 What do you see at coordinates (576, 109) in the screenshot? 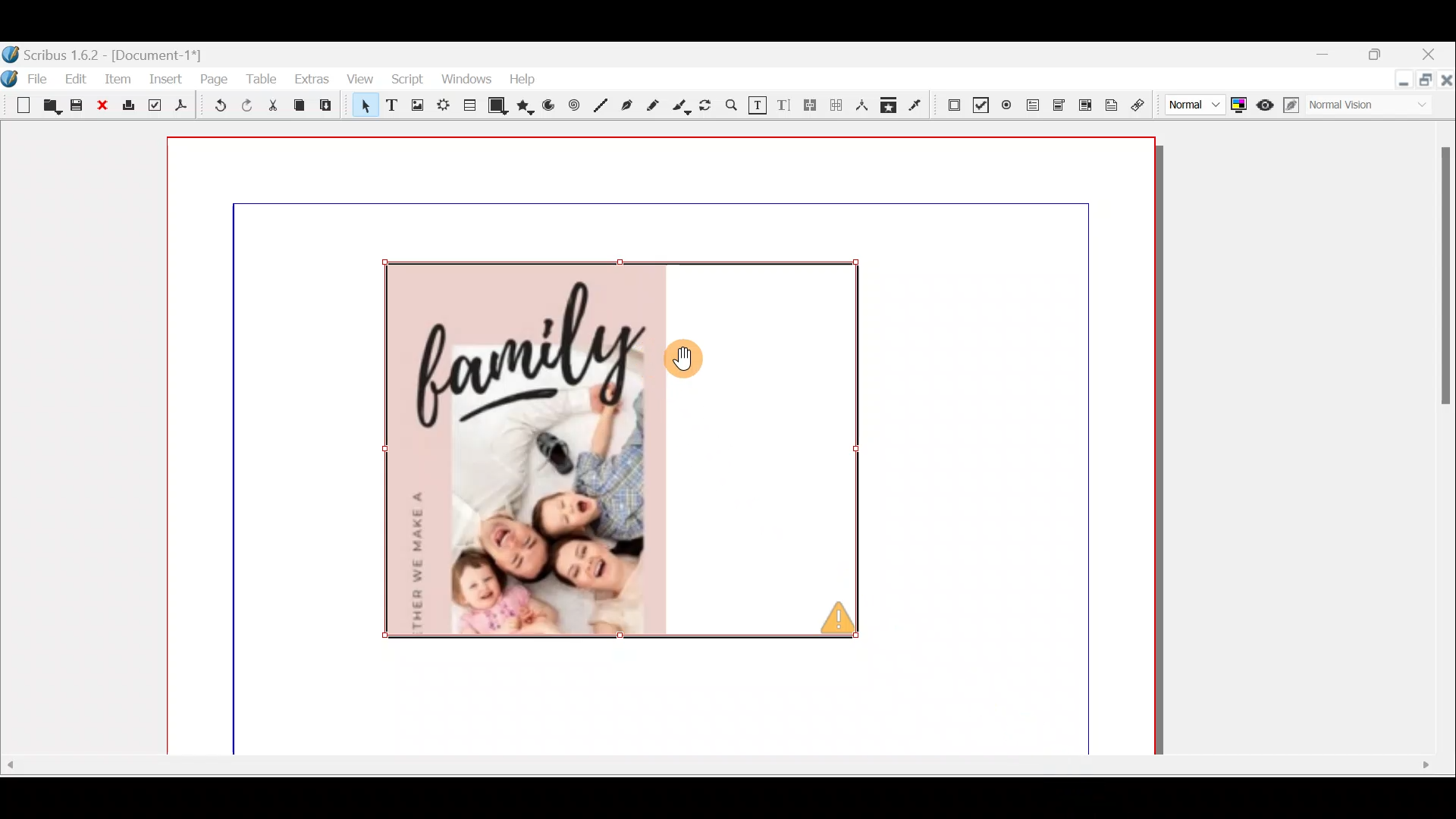
I see `Spiral` at bounding box center [576, 109].